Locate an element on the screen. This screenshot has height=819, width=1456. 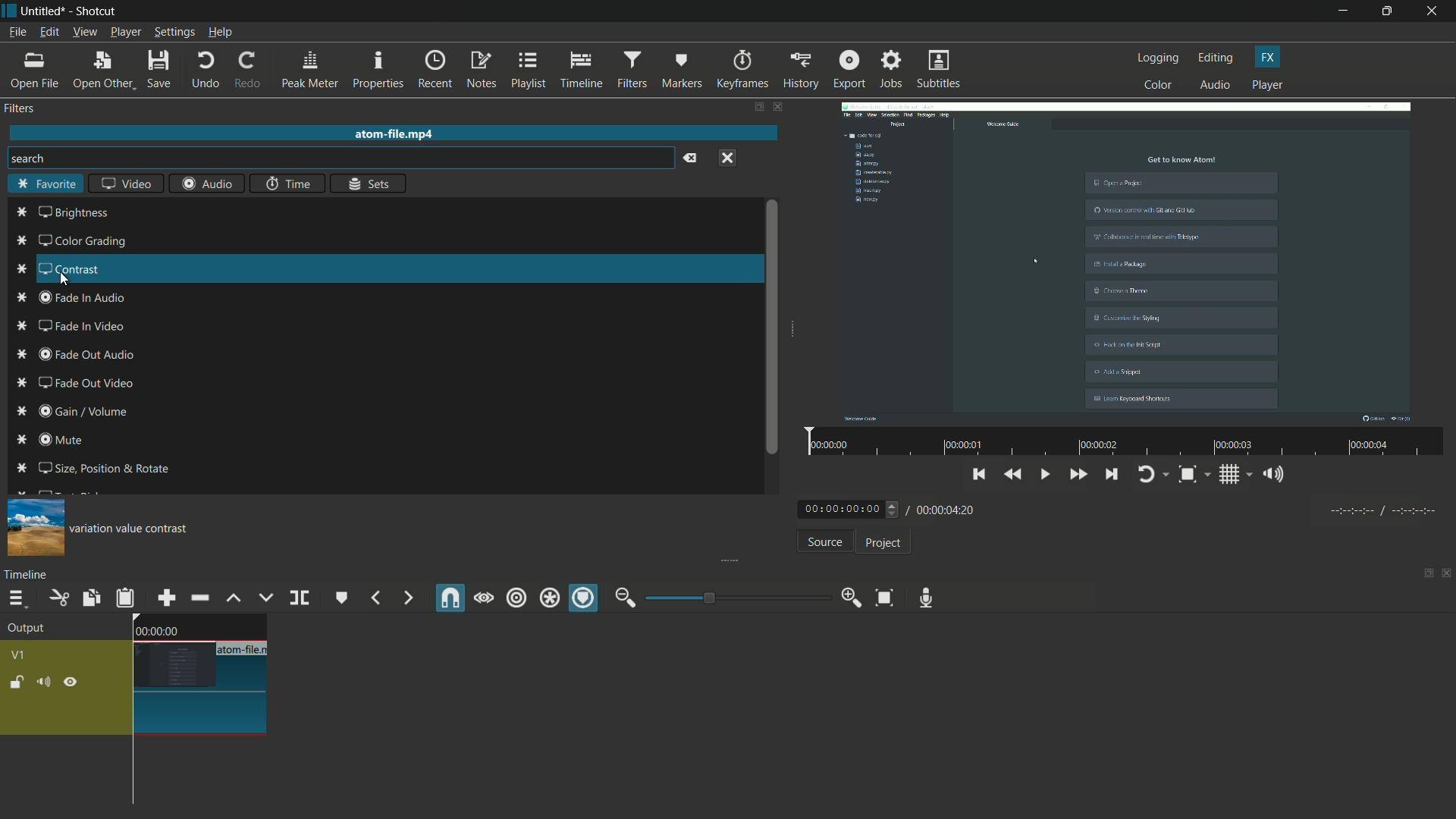
open file is located at coordinates (36, 71).